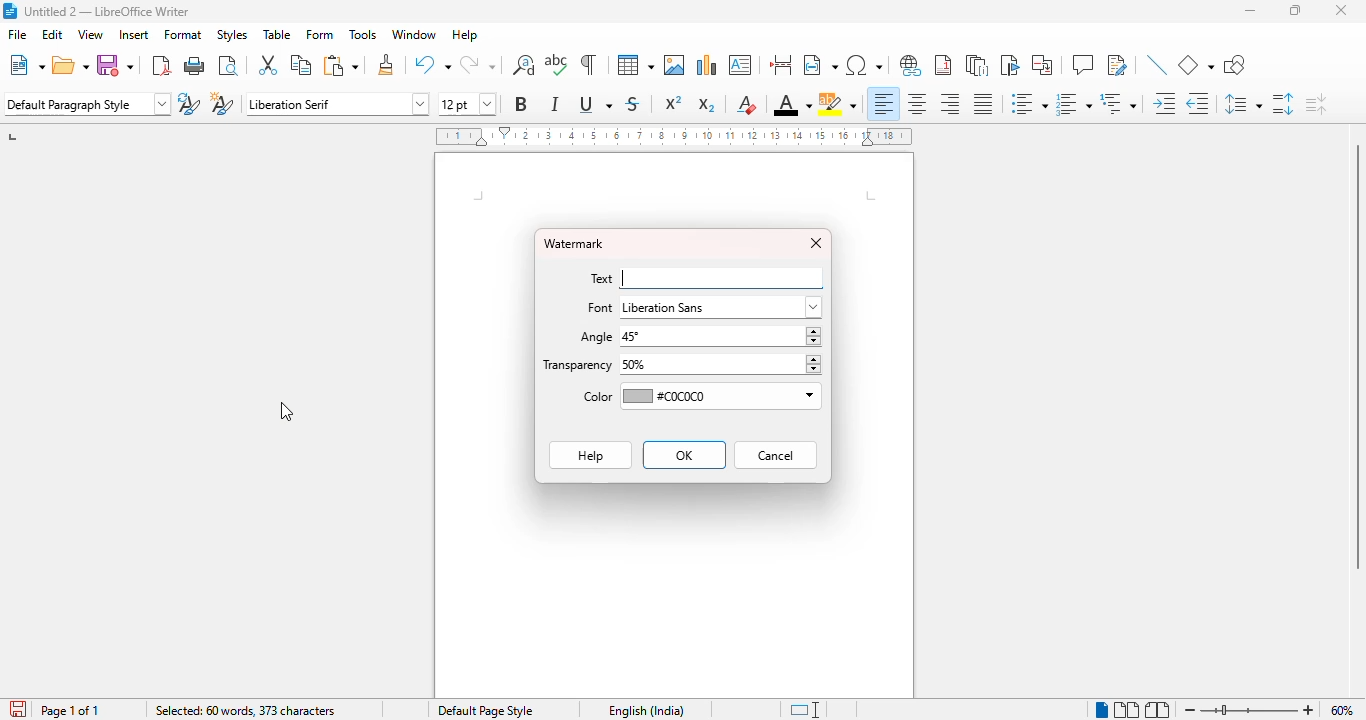 Image resolution: width=1366 pixels, height=720 pixels. What do you see at coordinates (720, 337) in the screenshot?
I see ` 45°` at bounding box center [720, 337].